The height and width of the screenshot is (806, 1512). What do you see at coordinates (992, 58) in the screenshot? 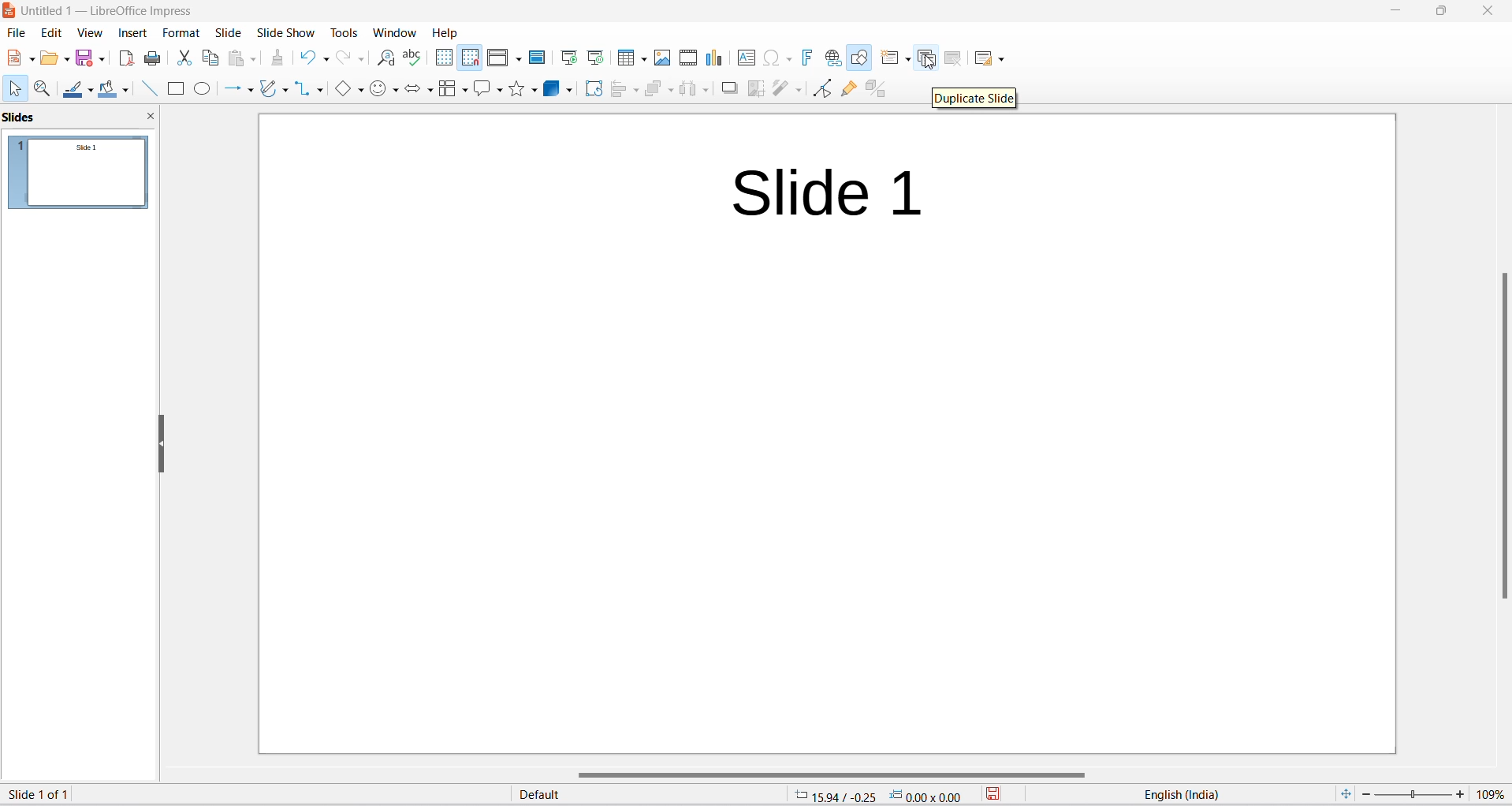
I see `slide layout` at bounding box center [992, 58].